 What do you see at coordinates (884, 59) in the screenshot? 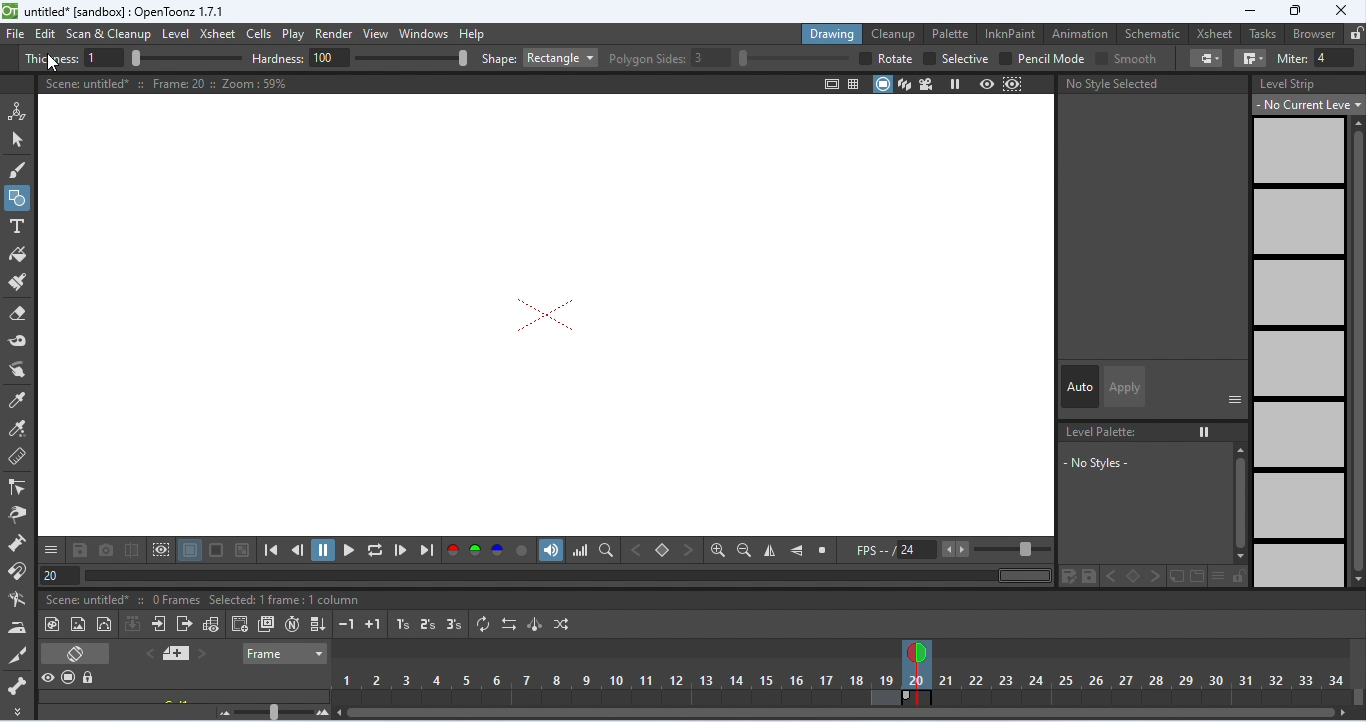
I see `rotate` at bounding box center [884, 59].